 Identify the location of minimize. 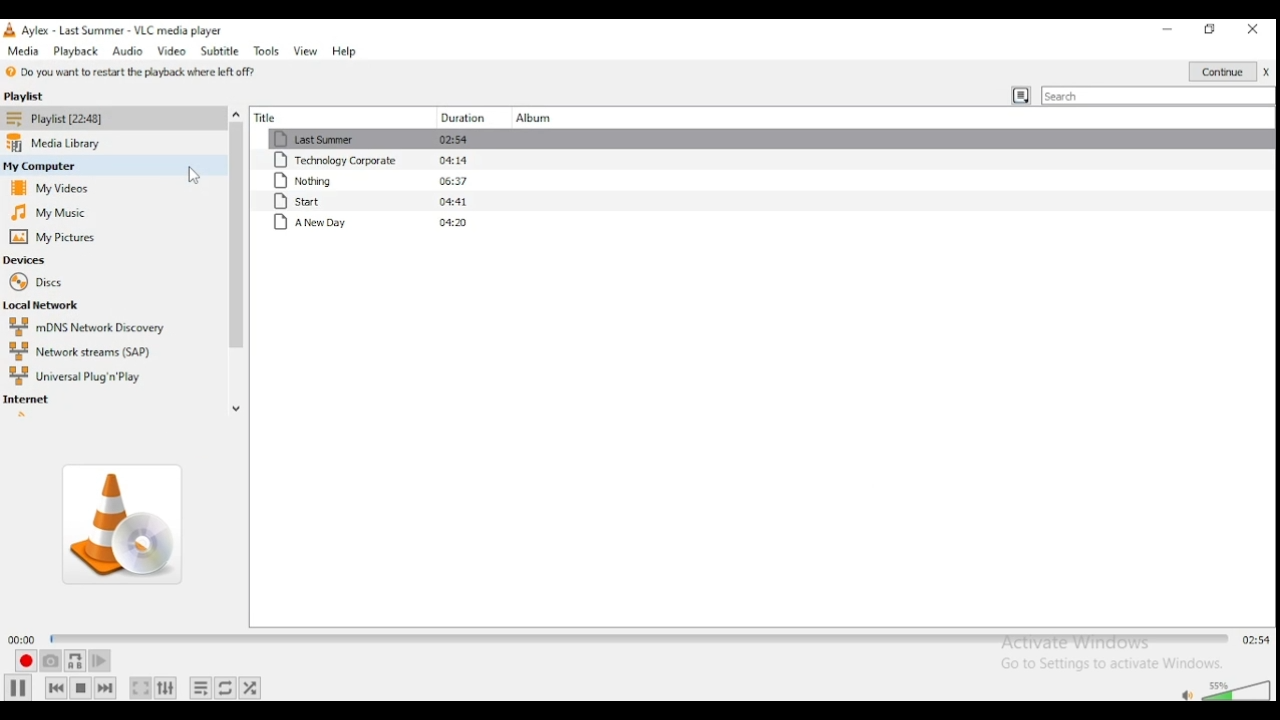
(1165, 30).